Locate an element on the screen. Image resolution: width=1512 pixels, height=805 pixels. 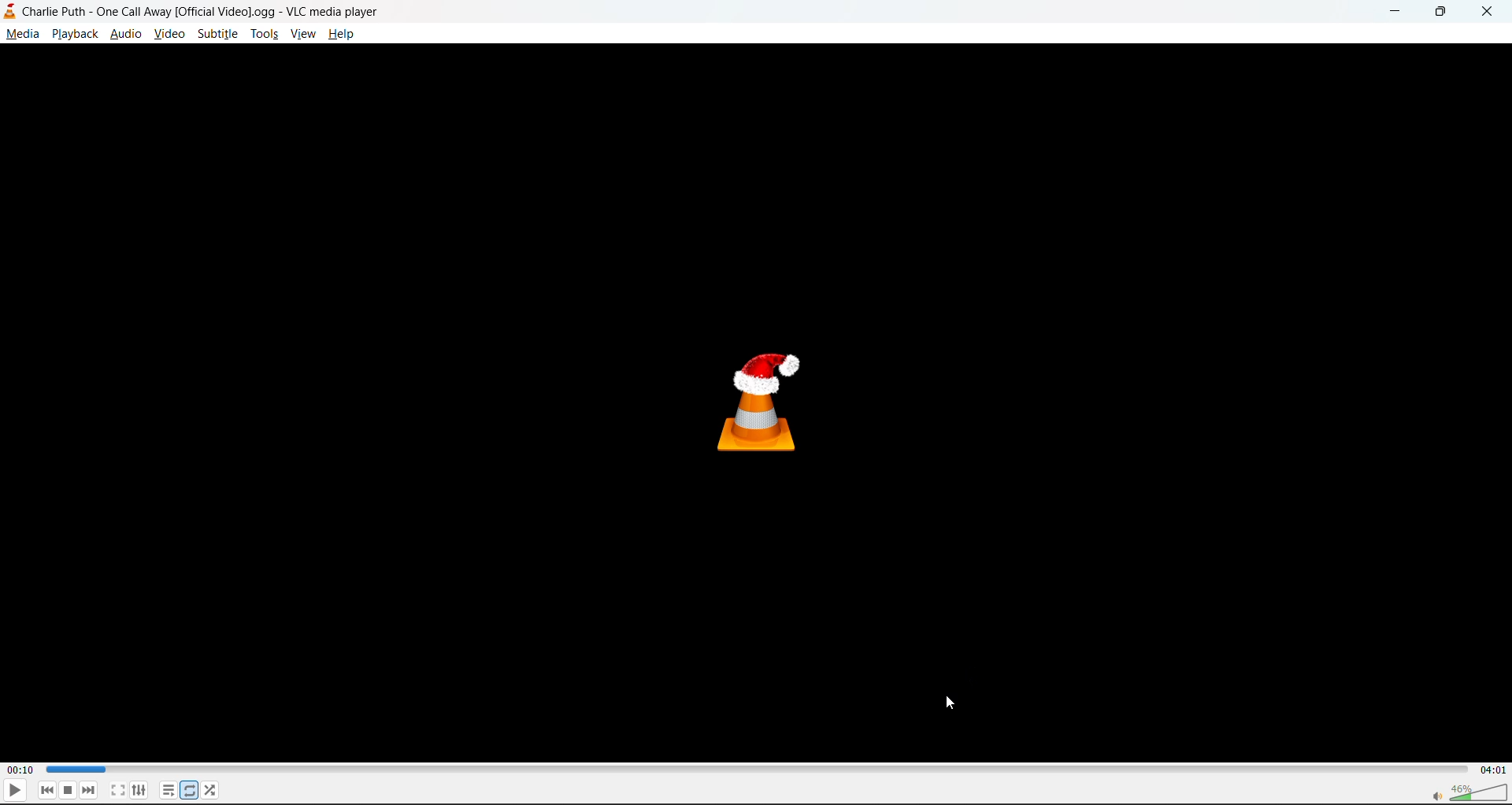
previous is located at coordinates (46, 791).